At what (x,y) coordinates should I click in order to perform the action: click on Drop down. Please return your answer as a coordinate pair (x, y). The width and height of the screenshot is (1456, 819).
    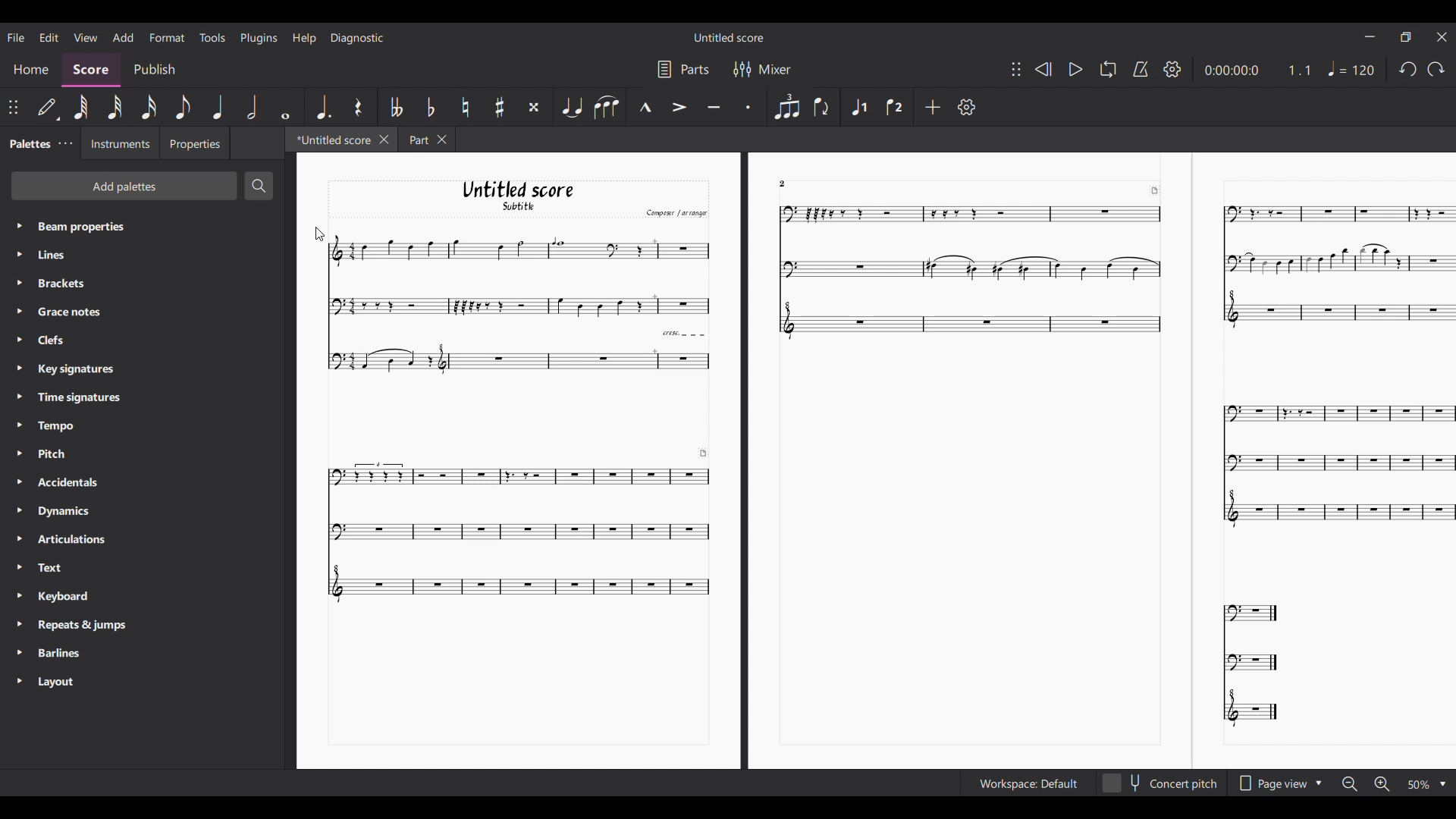
    Looking at the image, I should click on (1321, 782).